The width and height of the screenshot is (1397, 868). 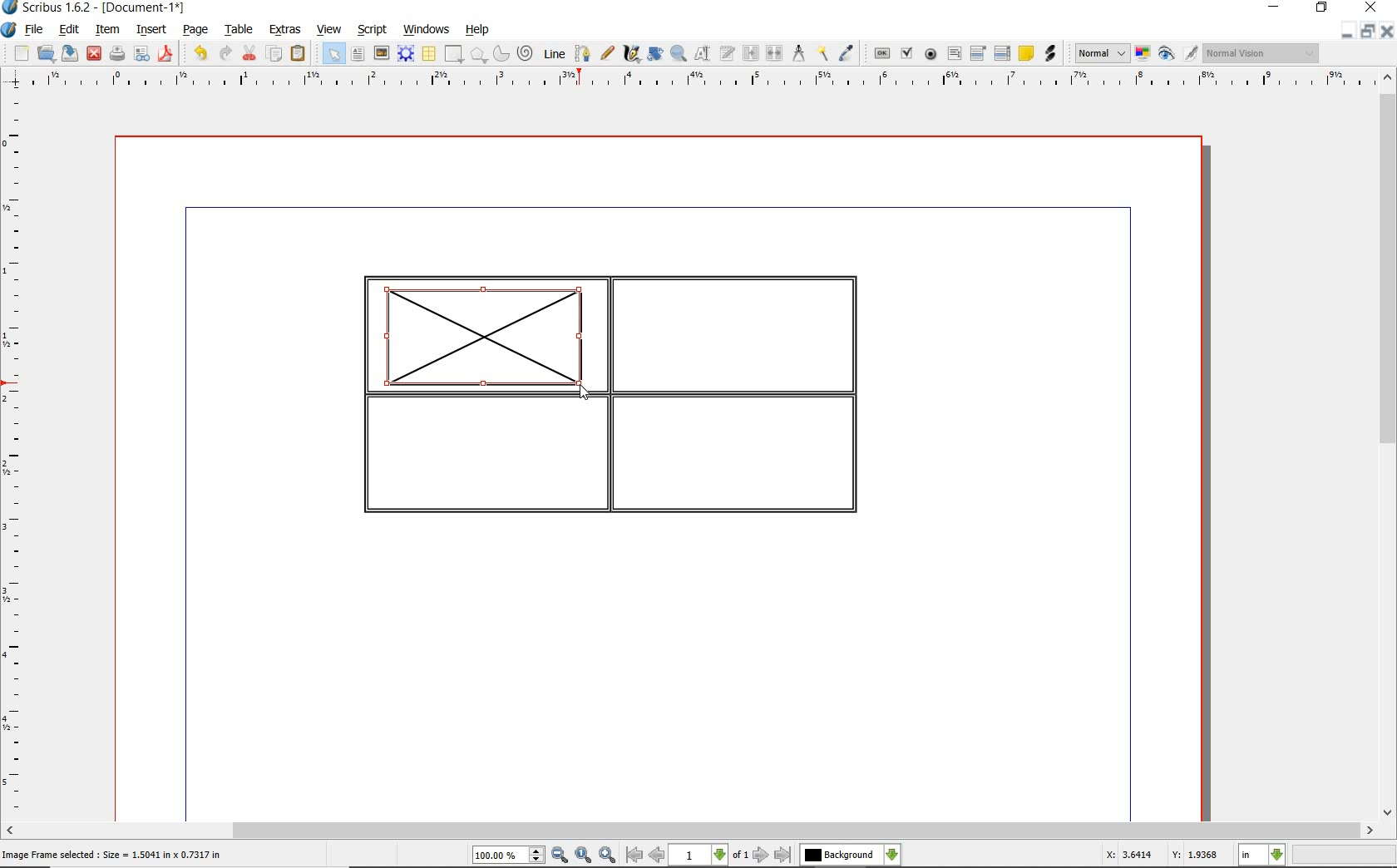 I want to click on X: 3.6414 Y: 1.9368, so click(x=1161, y=856).